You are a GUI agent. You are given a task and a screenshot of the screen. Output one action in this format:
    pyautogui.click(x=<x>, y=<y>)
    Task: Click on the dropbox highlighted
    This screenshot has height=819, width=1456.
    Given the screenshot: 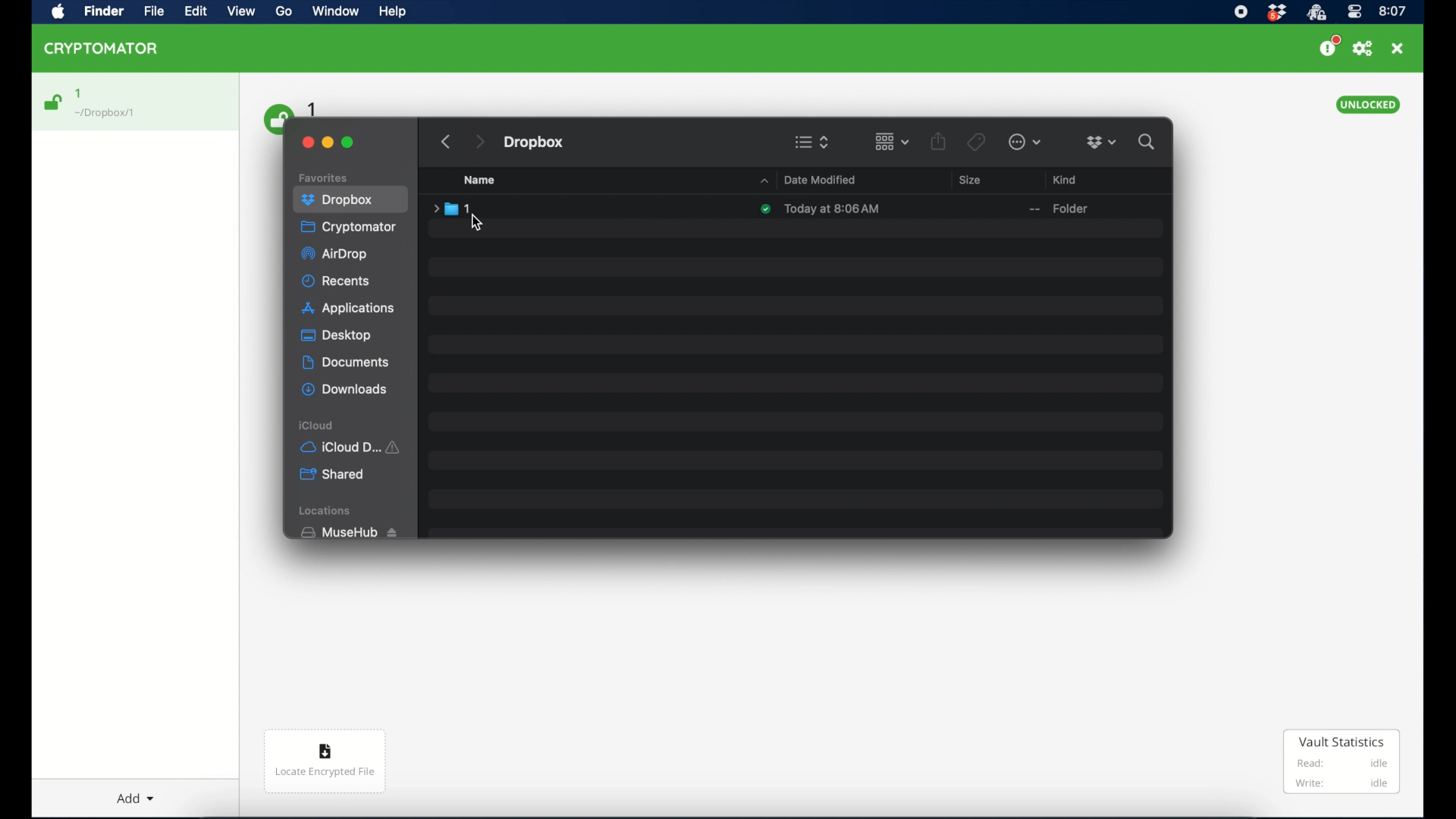 What is the action you would take?
    pyautogui.click(x=343, y=200)
    